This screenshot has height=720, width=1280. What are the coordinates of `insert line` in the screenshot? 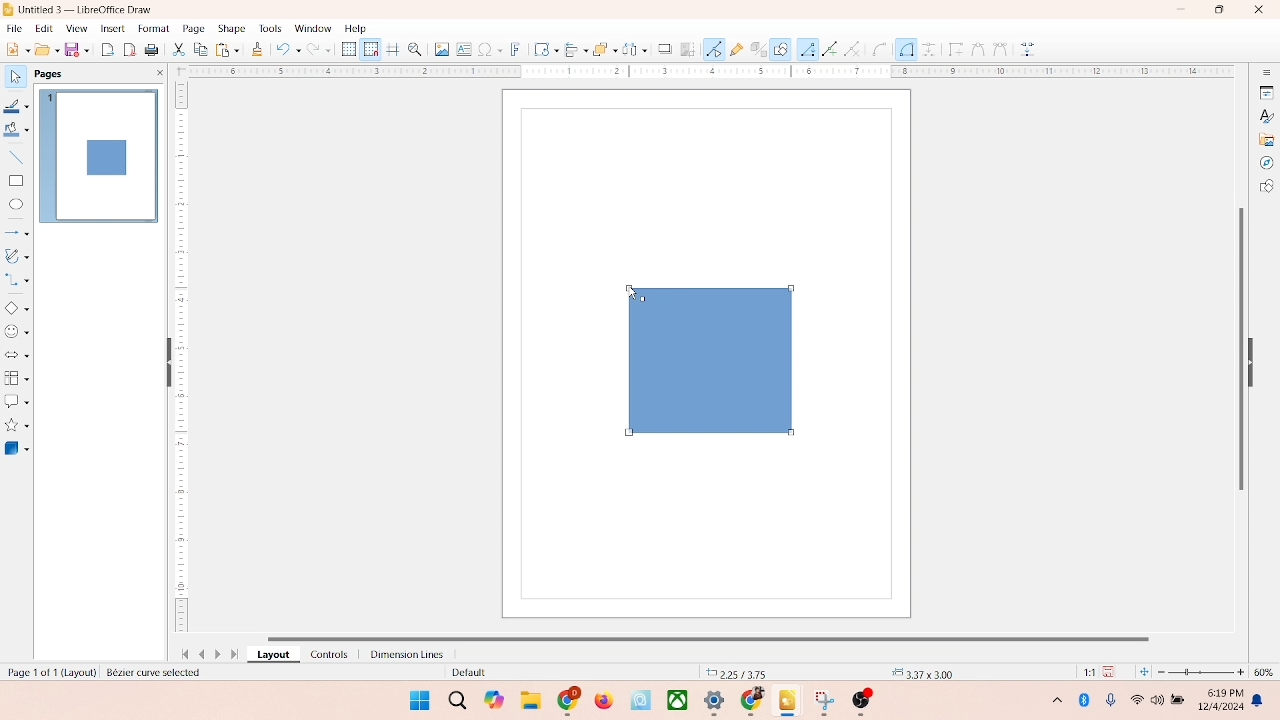 It's located at (16, 157).